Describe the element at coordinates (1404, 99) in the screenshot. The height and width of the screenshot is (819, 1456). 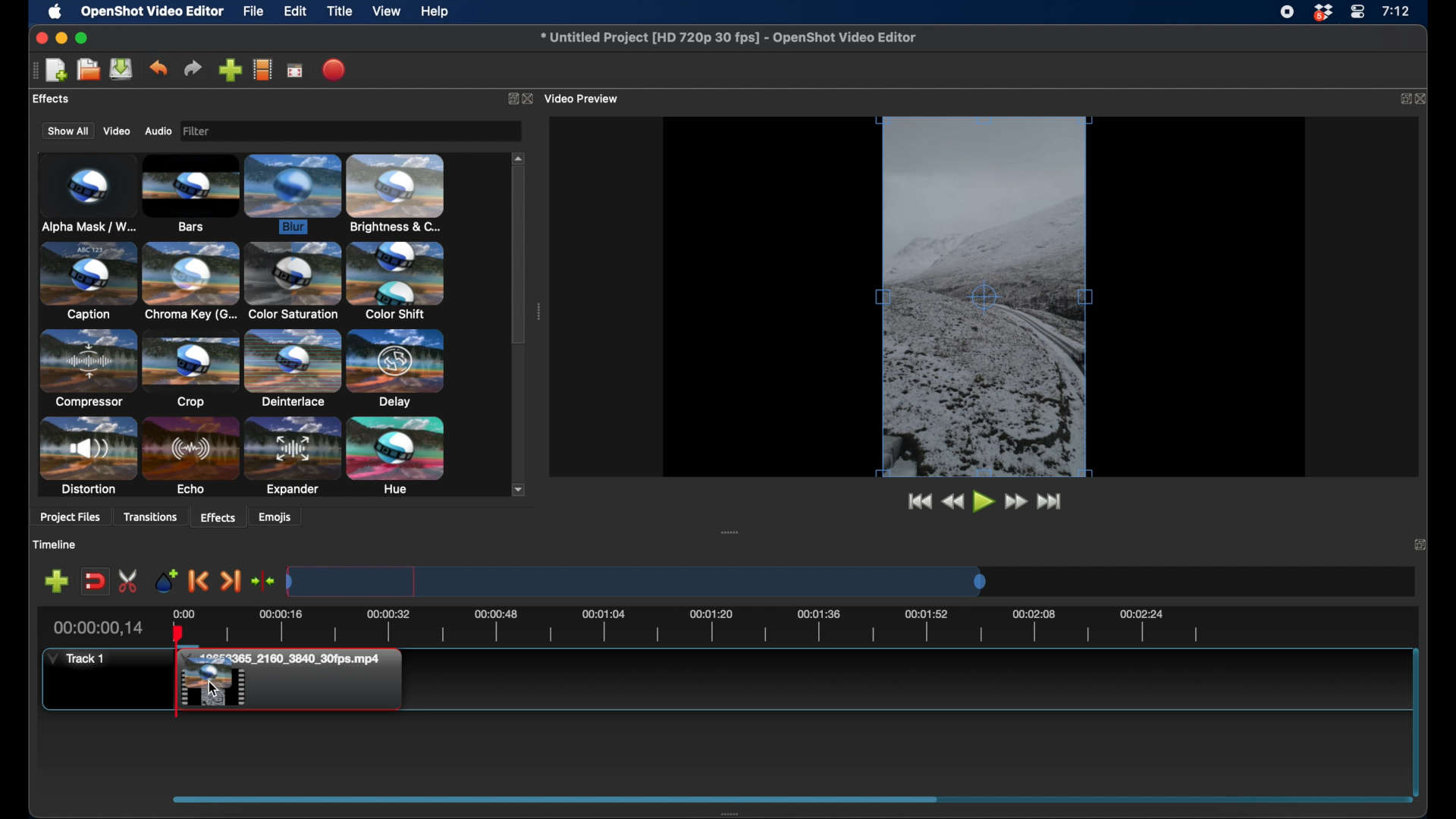
I see `expand` at that location.